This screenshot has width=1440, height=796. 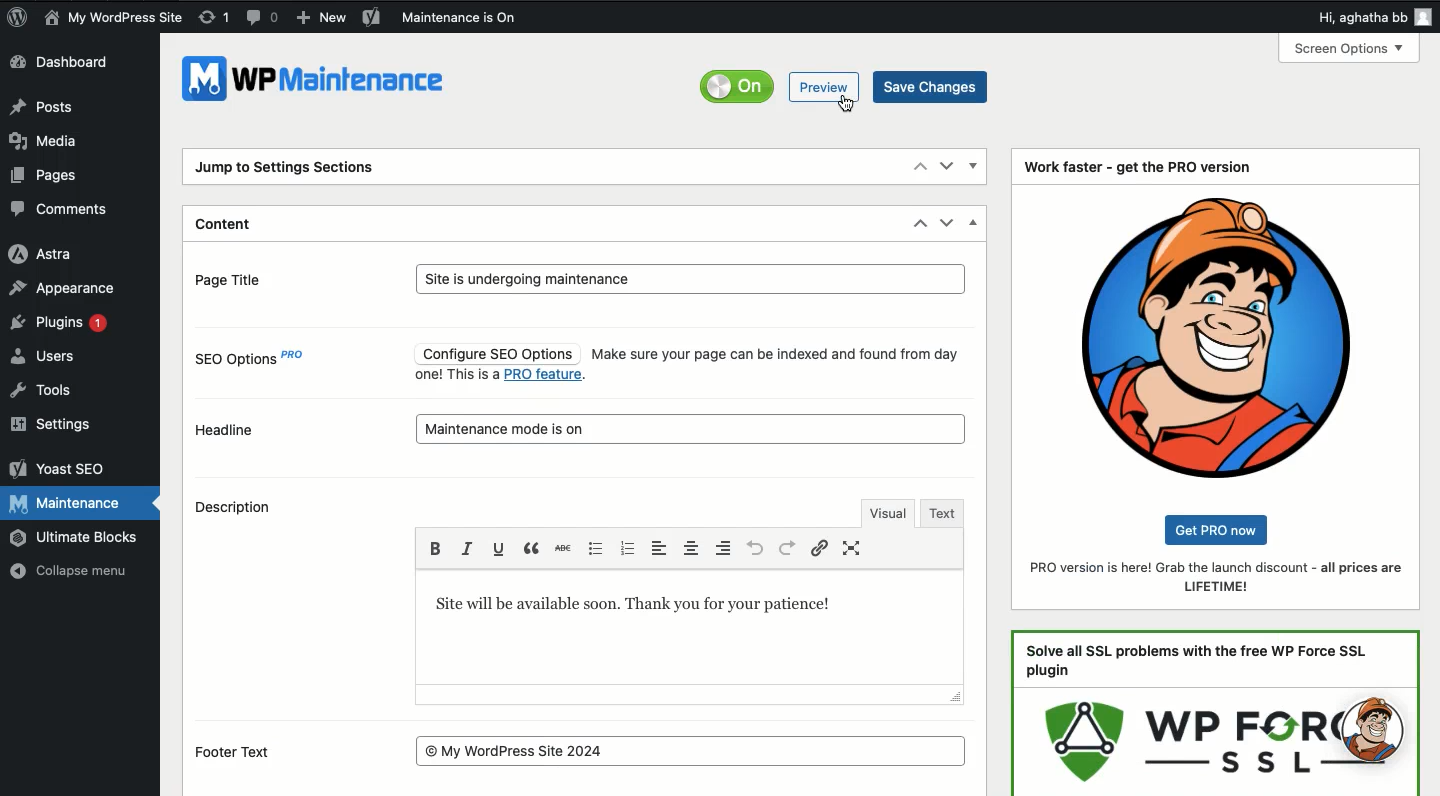 I want to click on Footer text, so click(x=246, y=753).